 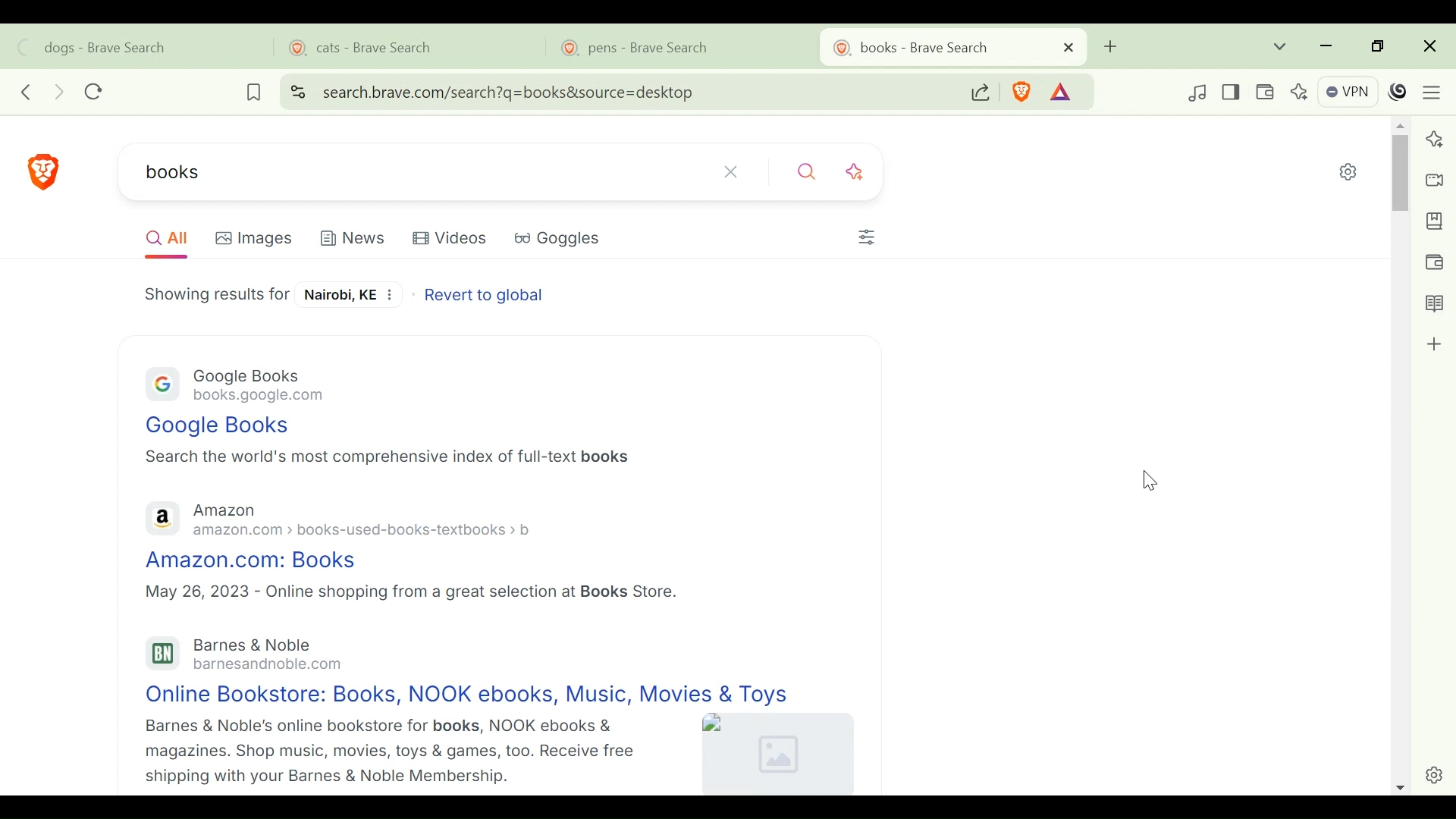 What do you see at coordinates (1298, 90) in the screenshot?
I see `Leo AI` at bounding box center [1298, 90].